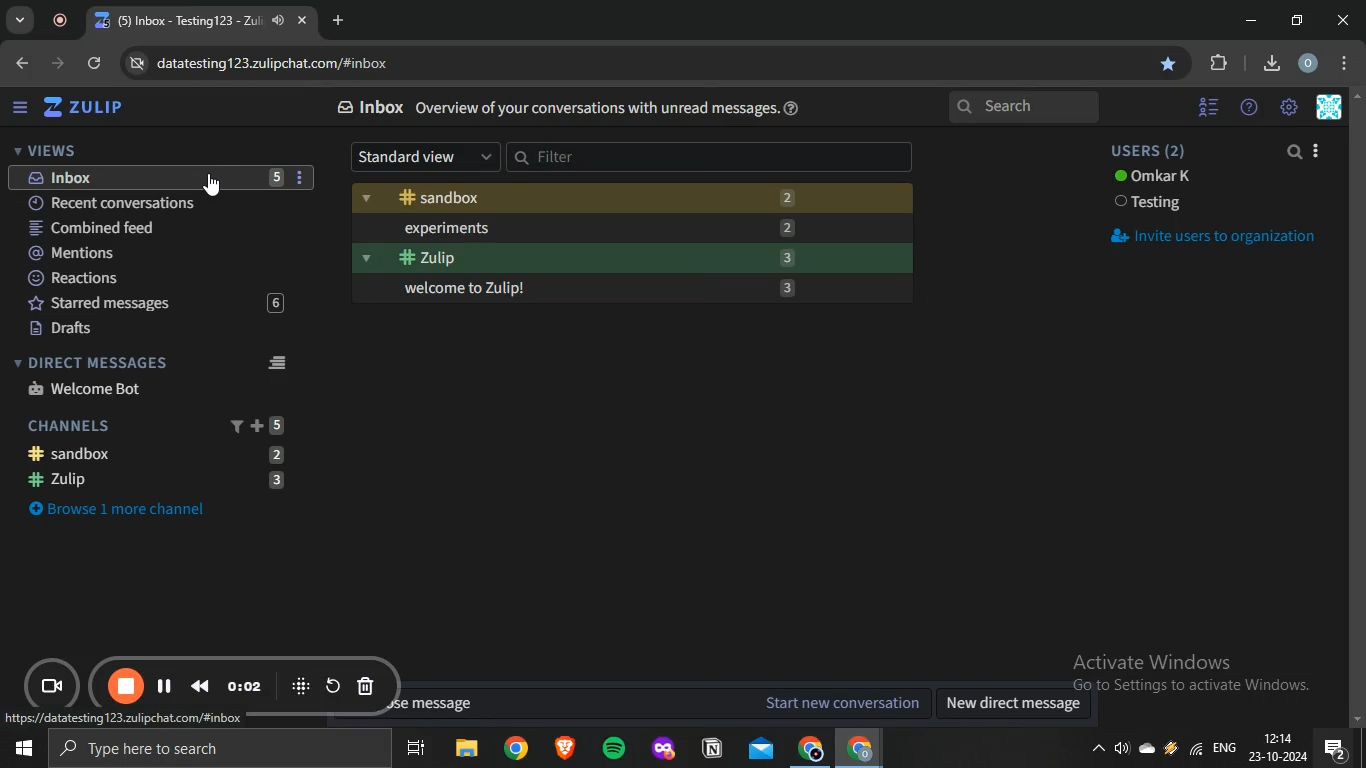 The image size is (1366, 768). Describe the element at coordinates (20, 61) in the screenshot. I see `go back to  previous page` at that location.